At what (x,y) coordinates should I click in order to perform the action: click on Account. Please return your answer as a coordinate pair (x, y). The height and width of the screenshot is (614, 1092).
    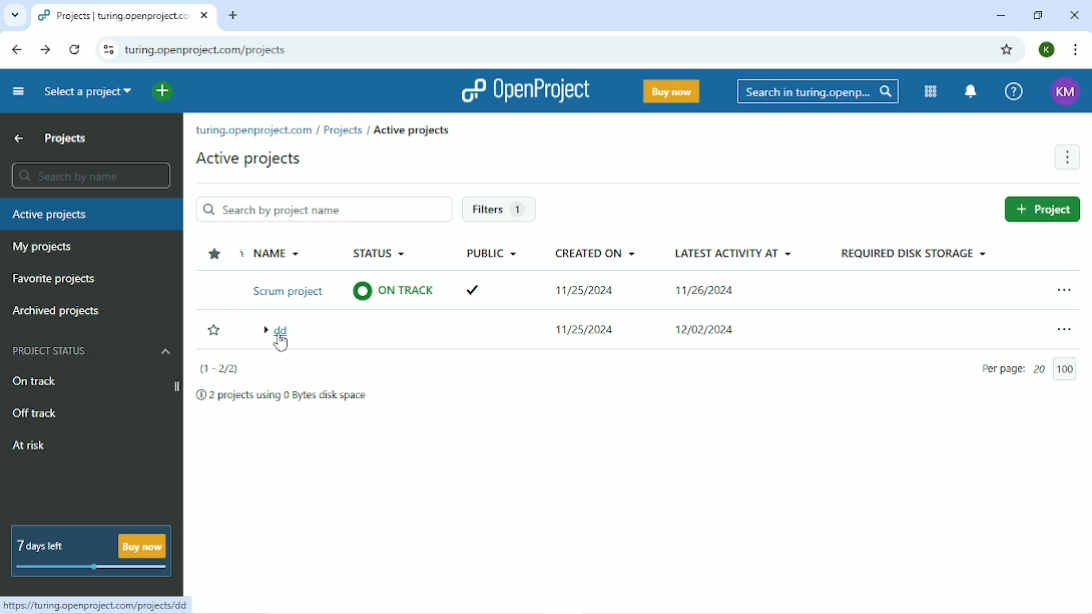
    Looking at the image, I should click on (1047, 49).